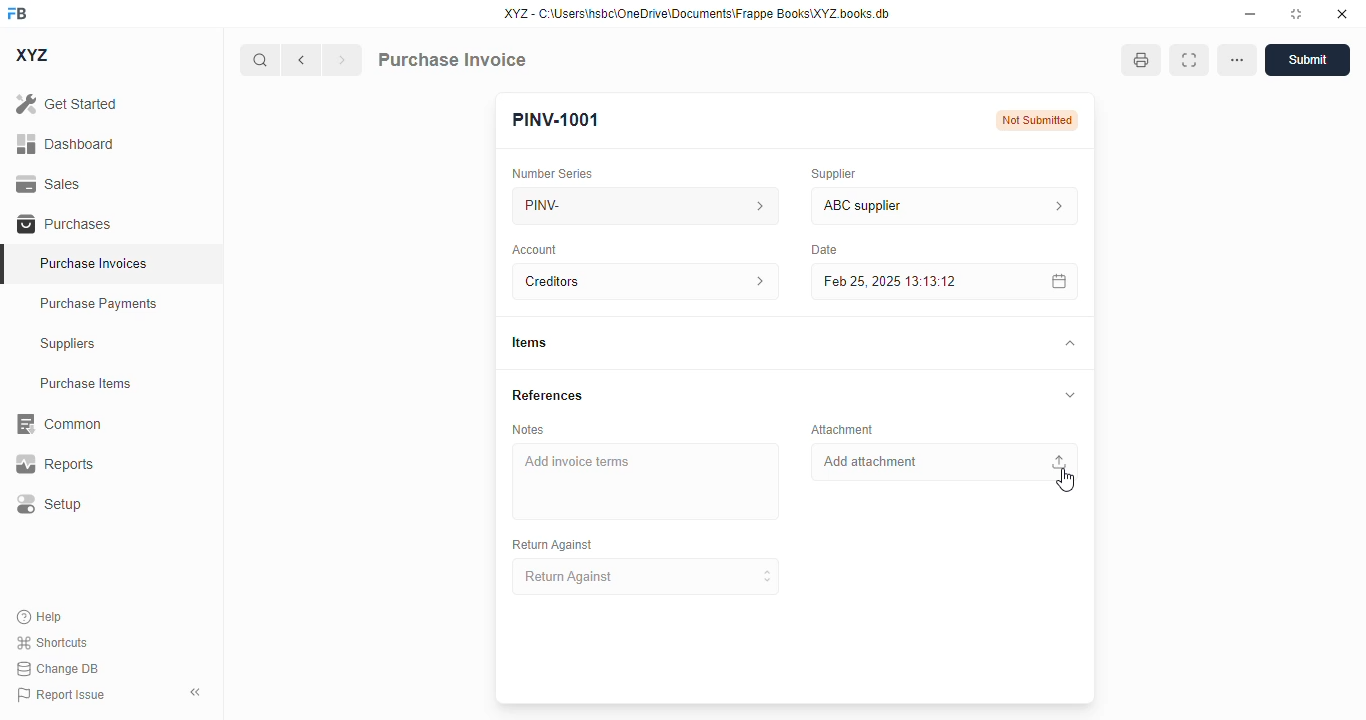  What do you see at coordinates (57, 424) in the screenshot?
I see `common` at bounding box center [57, 424].